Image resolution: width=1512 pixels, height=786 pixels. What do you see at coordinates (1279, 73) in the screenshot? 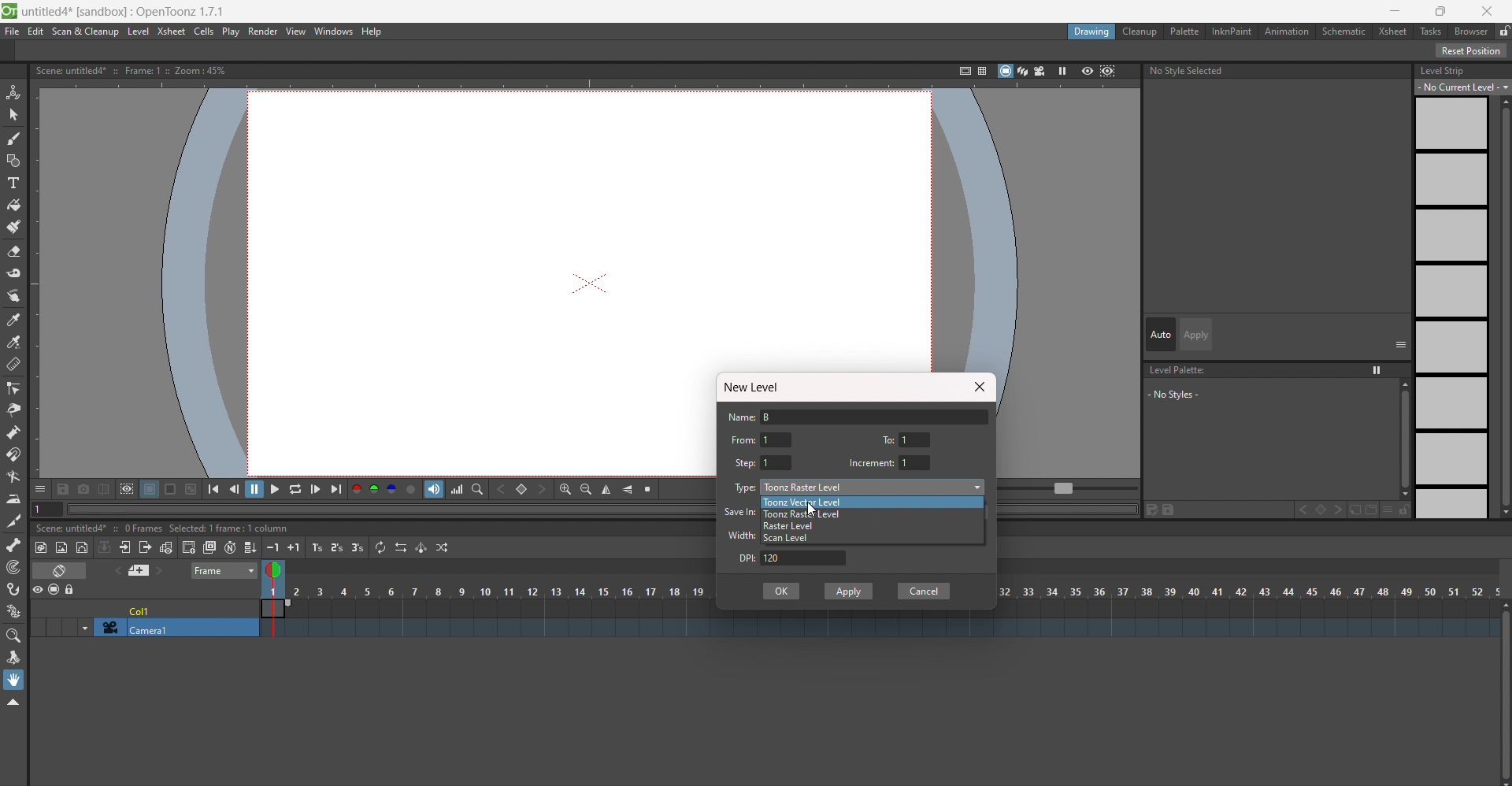
I see `no style selected` at bounding box center [1279, 73].